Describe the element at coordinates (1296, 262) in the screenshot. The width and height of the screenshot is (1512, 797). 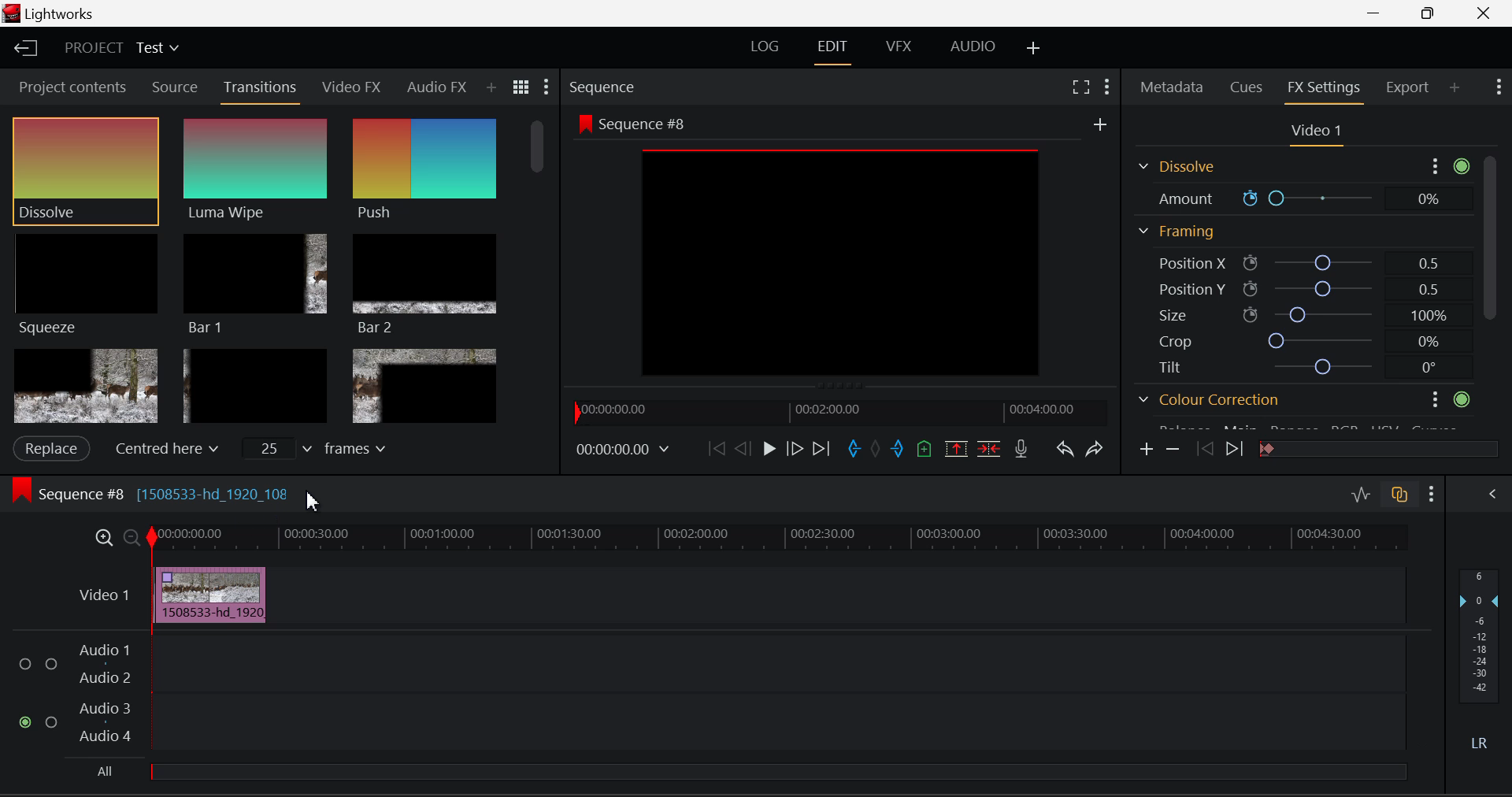
I see `Position X` at that location.